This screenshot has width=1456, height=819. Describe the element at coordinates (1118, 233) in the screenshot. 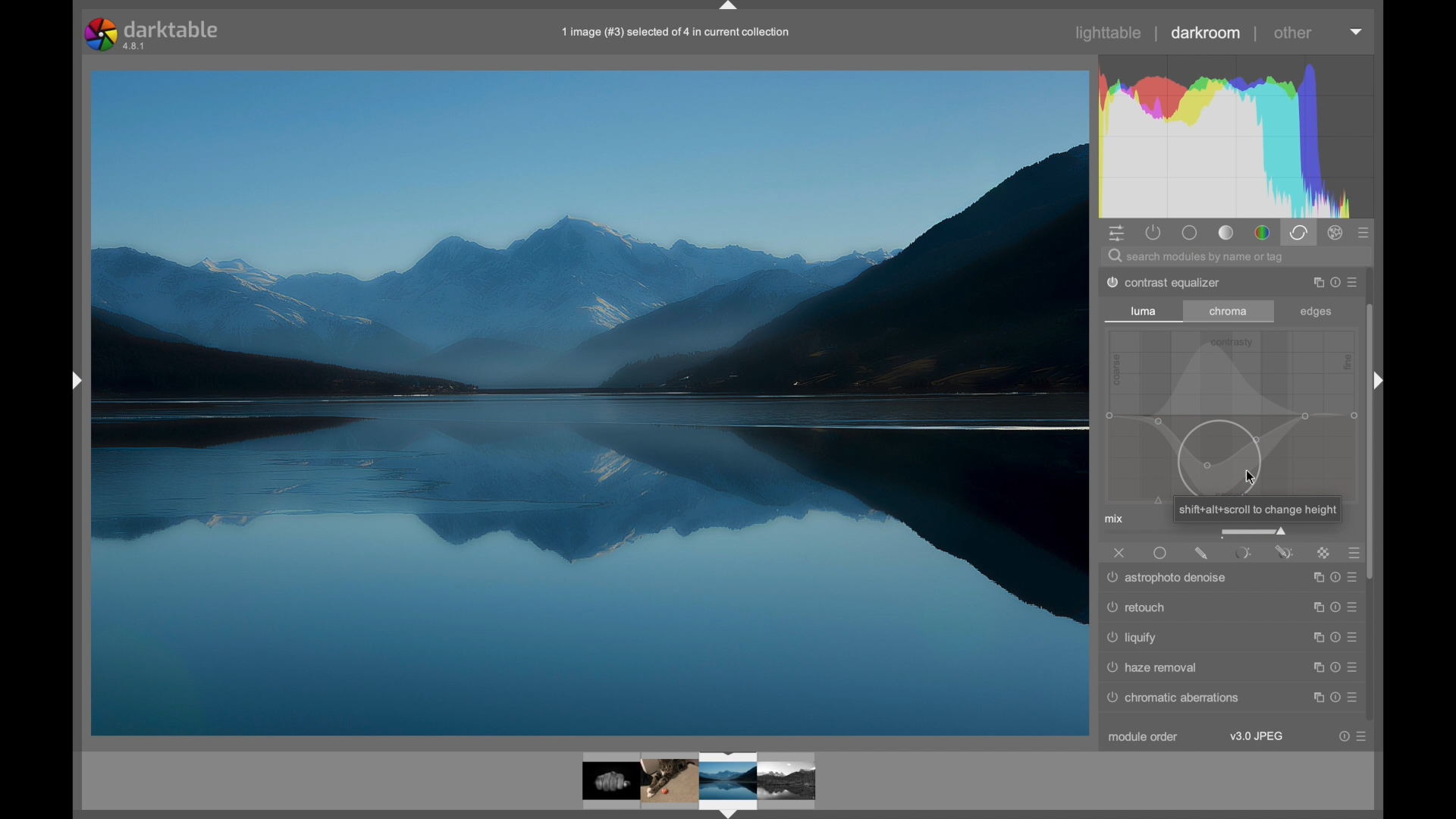

I see `quick  access  panel` at that location.